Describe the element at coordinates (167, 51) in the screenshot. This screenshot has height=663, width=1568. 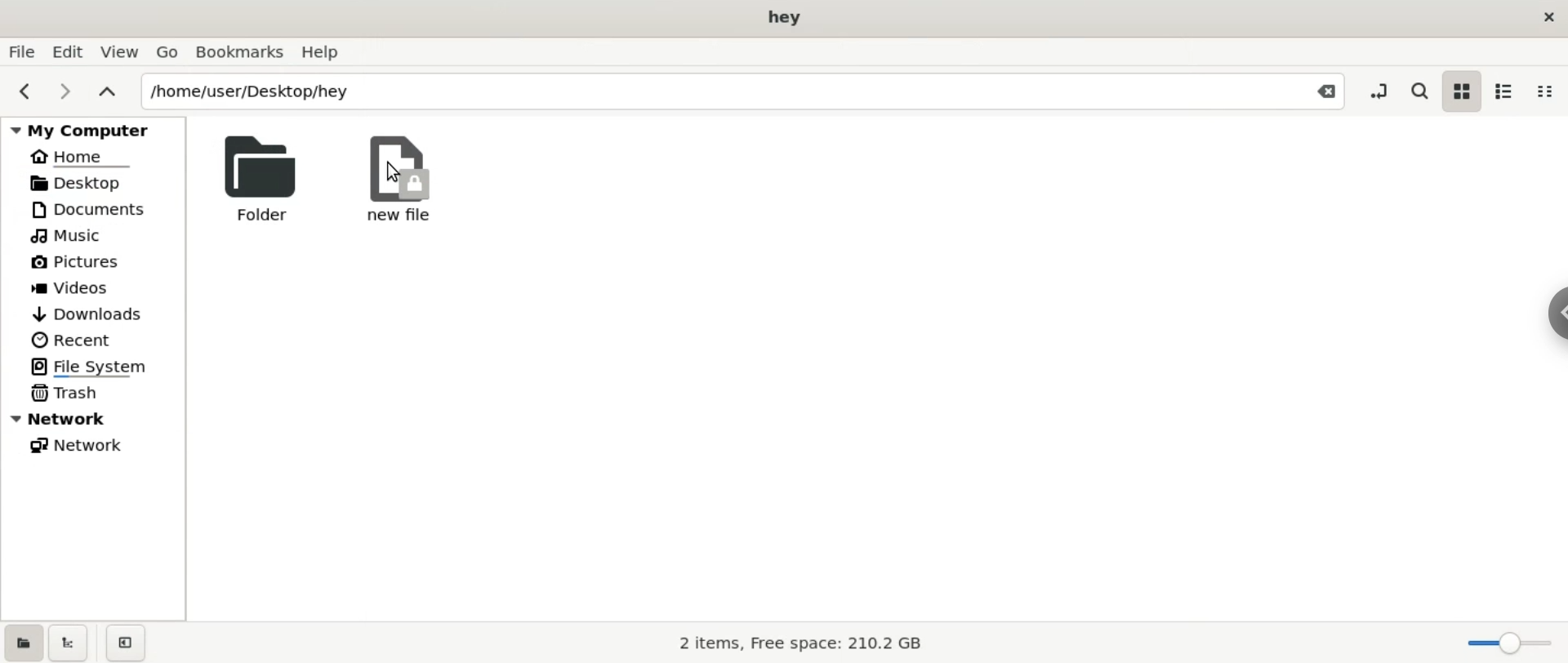
I see `Go` at that location.